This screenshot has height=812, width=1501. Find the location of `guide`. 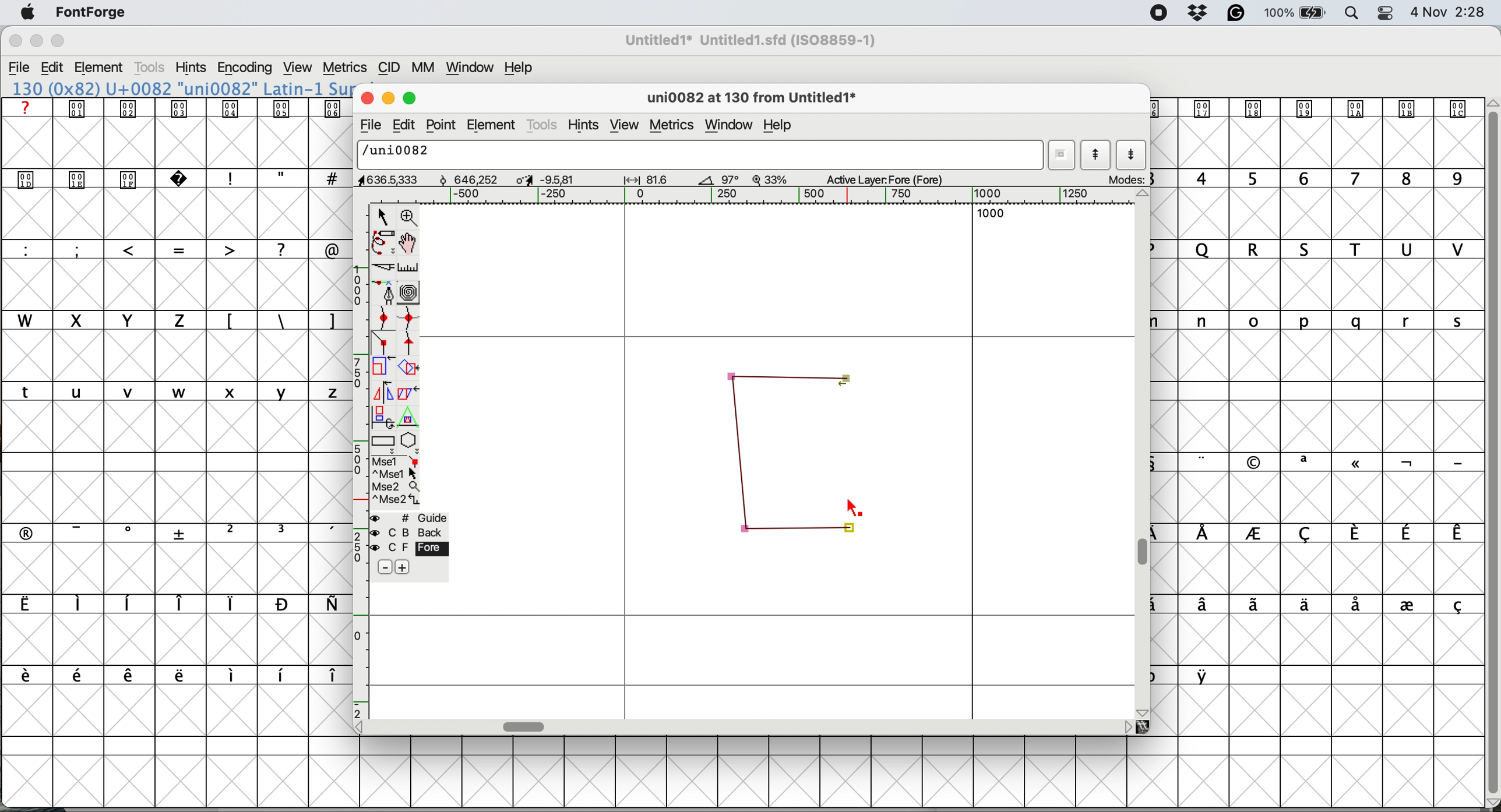

guide is located at coordinates (410, 518).